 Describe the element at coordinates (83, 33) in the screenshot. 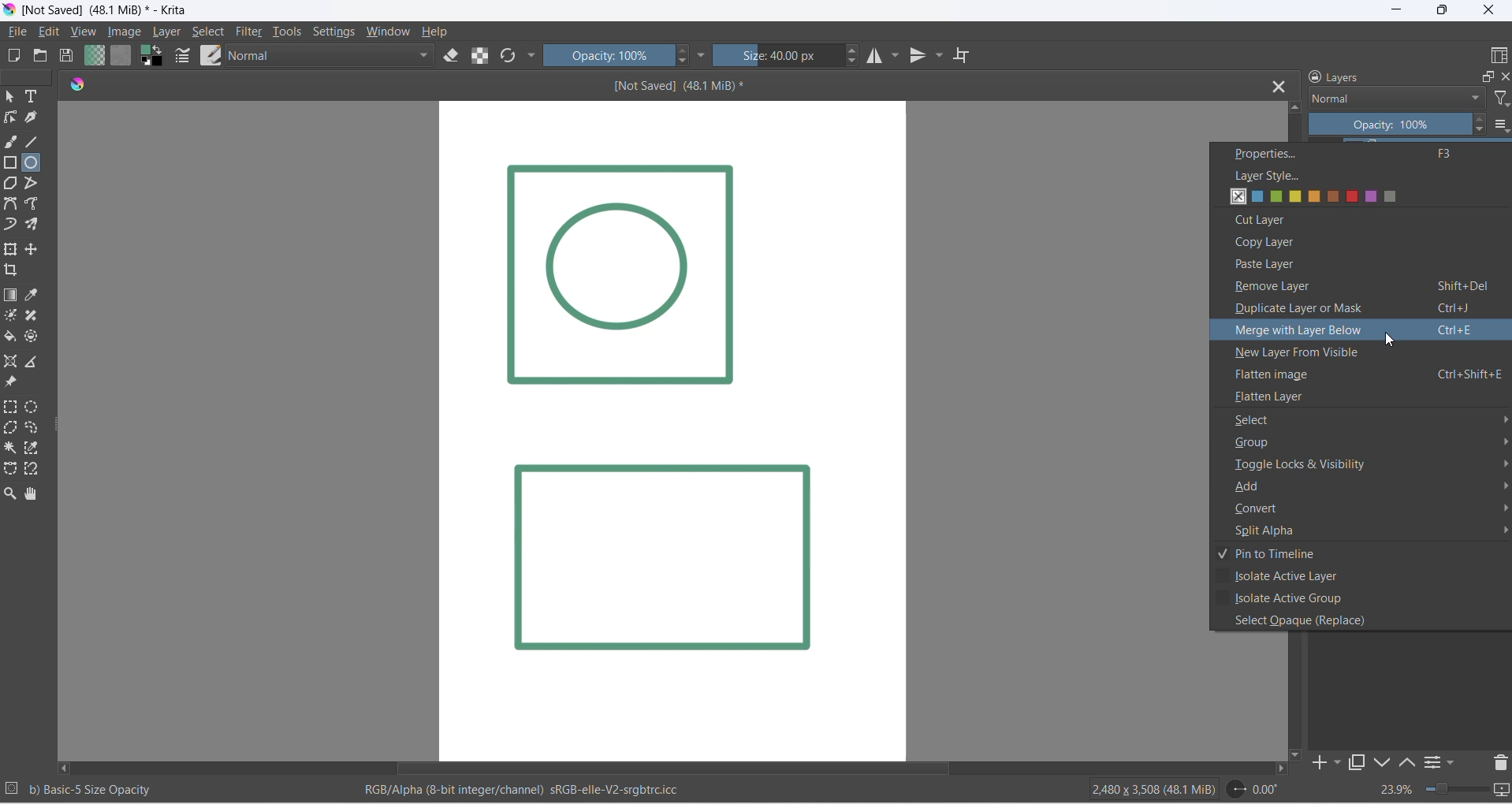

I see `view` at that location.